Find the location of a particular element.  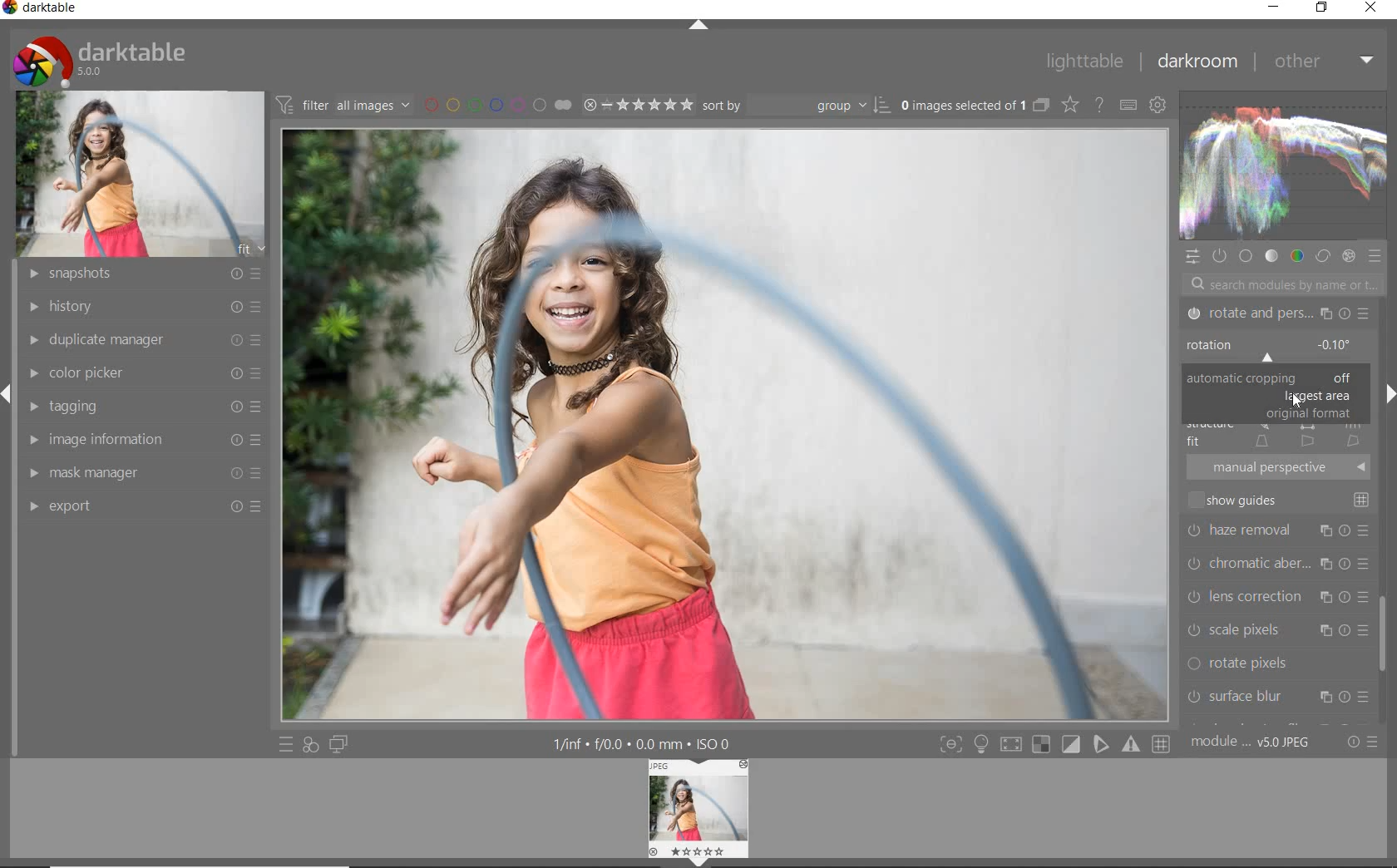

MANUAL PERSPECTIVE is located at coordinates (1281, 466).